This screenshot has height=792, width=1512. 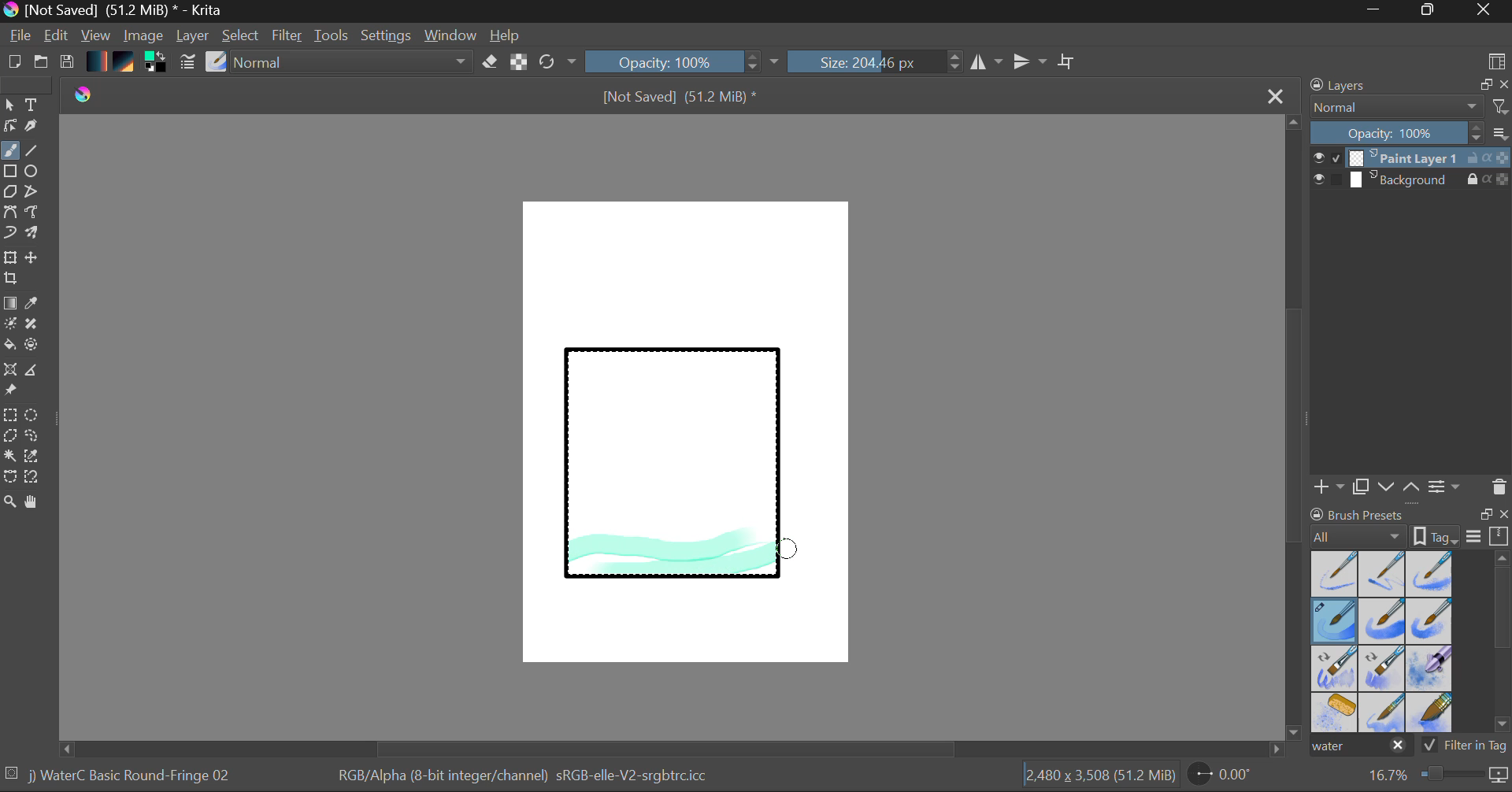 I want to click on Edit Shapes, so click(x=9, y=128).